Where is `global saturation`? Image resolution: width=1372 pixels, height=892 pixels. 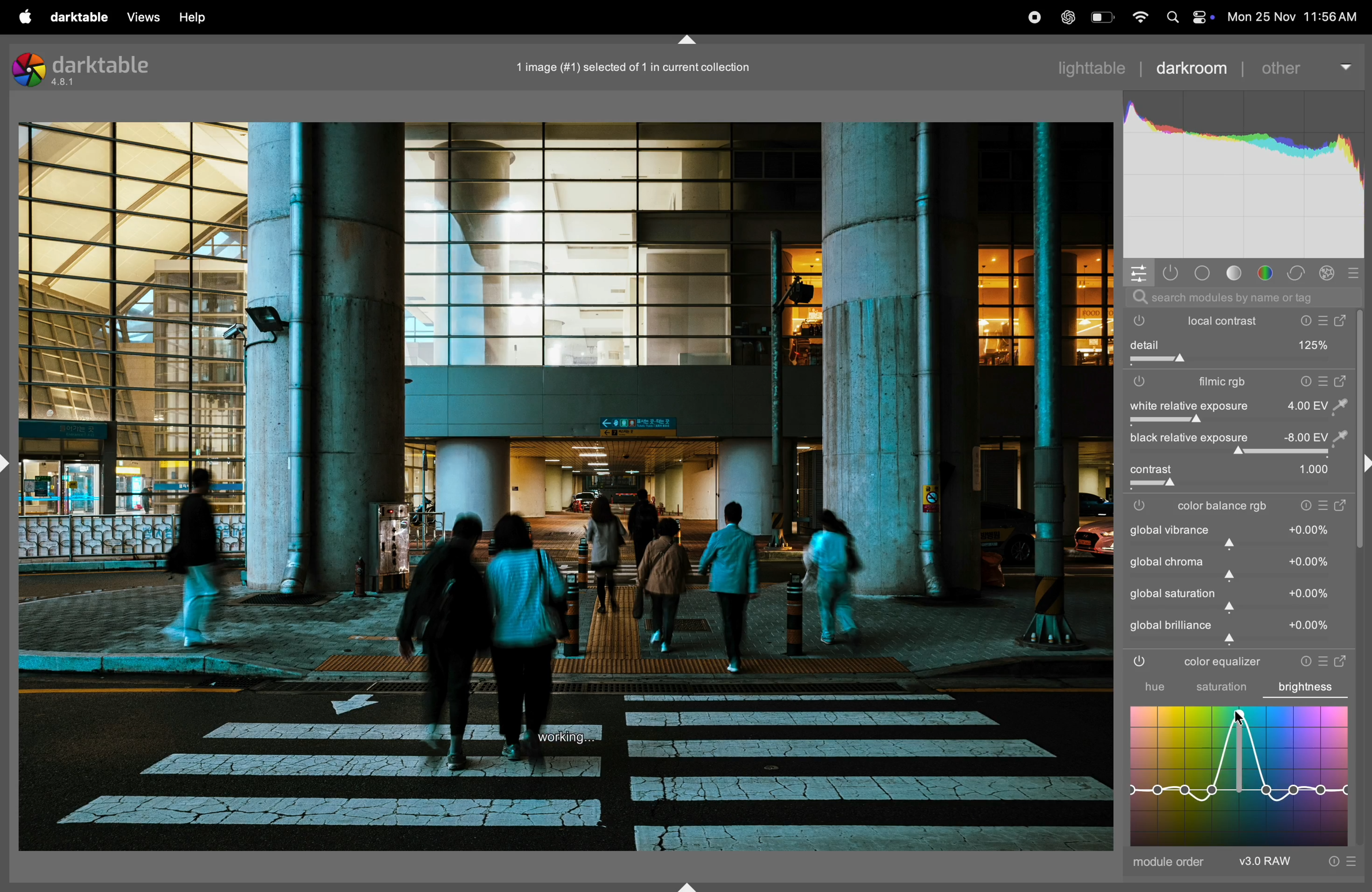 global saturation is located at coordinates (1173, 593).